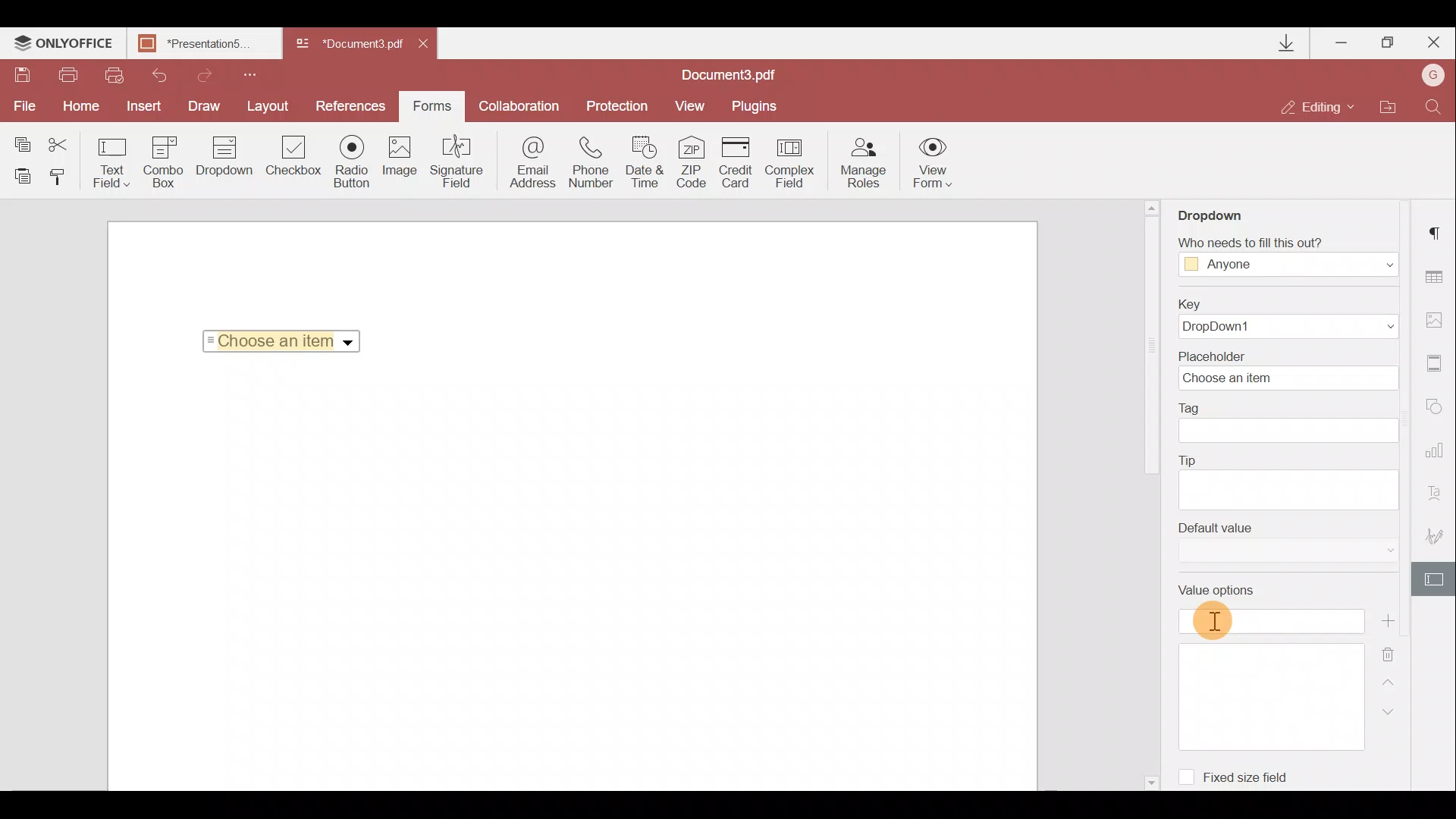 The height and width of the screenshot is (819, 1456). I want to click on Open file location, so click(1387, 108).